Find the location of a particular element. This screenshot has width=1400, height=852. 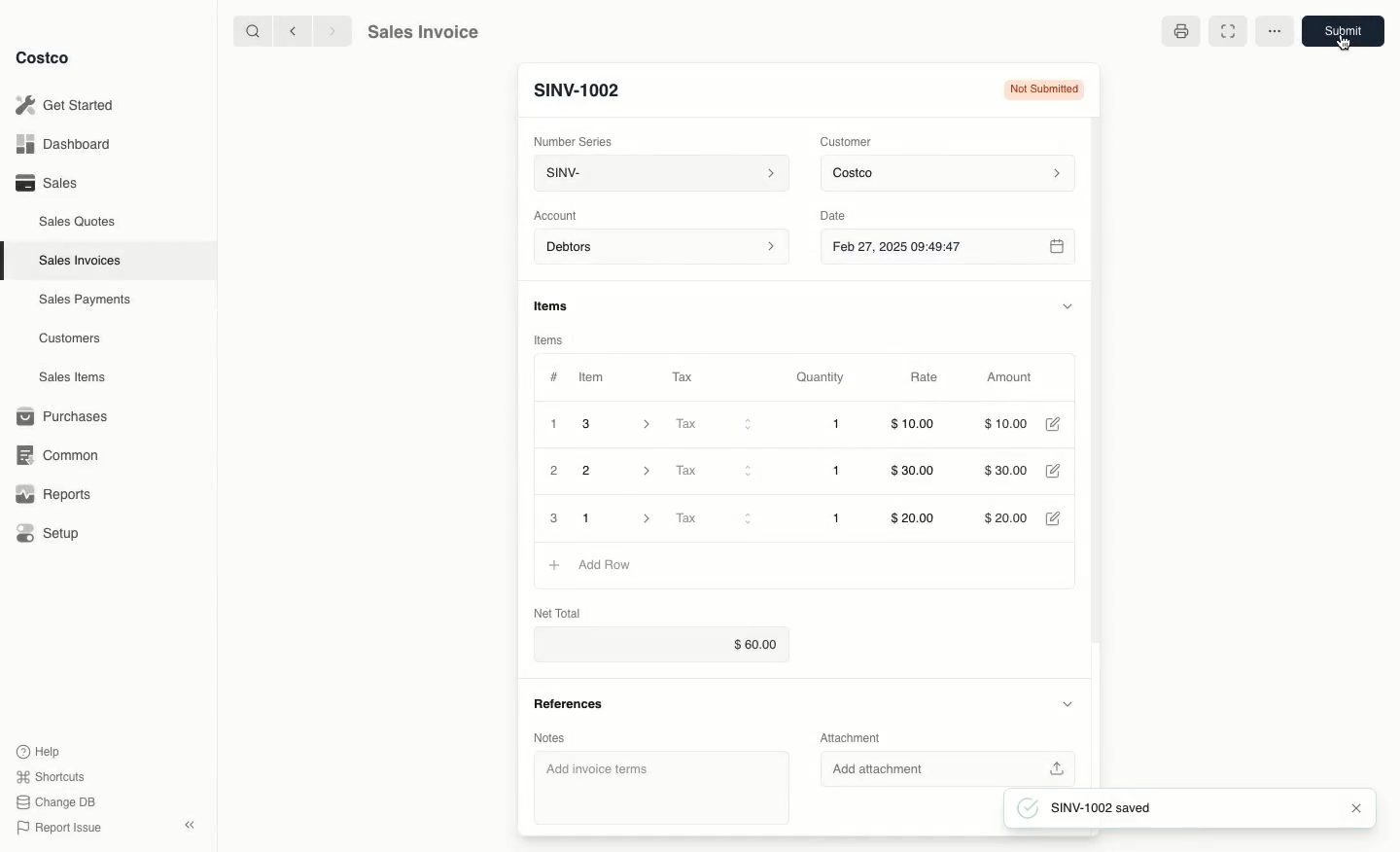

Tax is located at coordinates (687, 376).